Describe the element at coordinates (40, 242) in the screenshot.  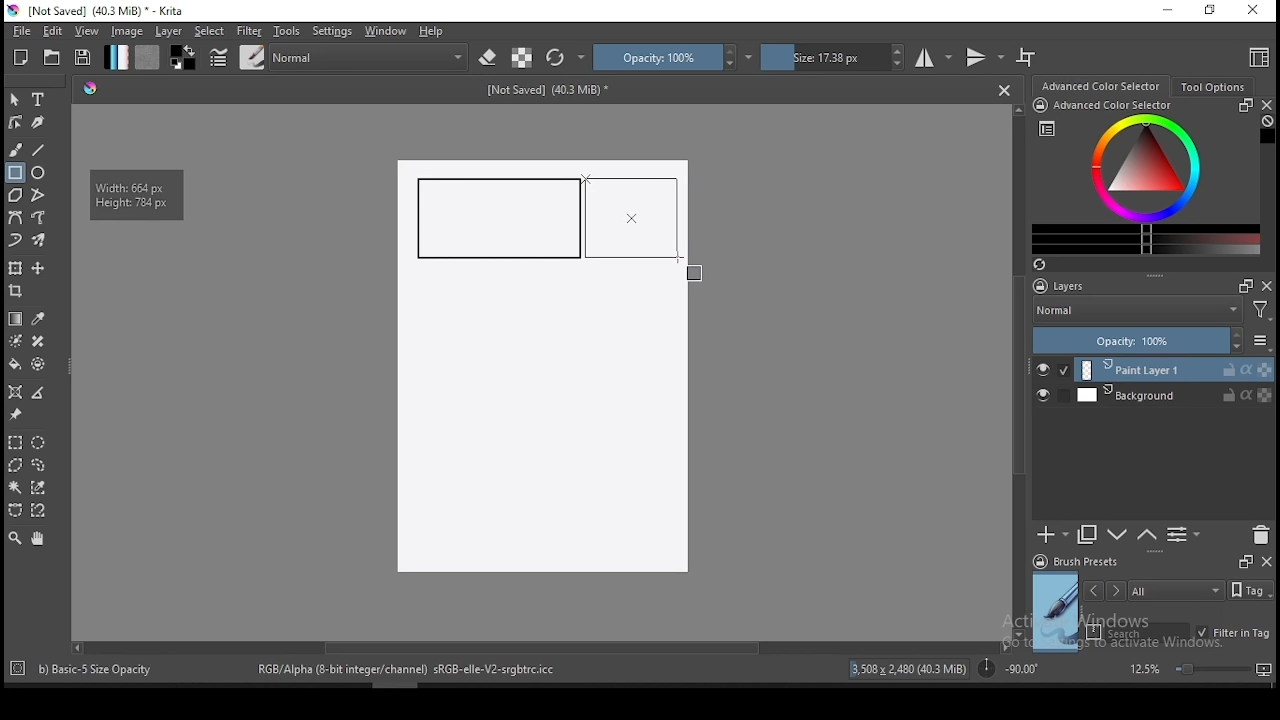
I see `multibrush tool` at that location.